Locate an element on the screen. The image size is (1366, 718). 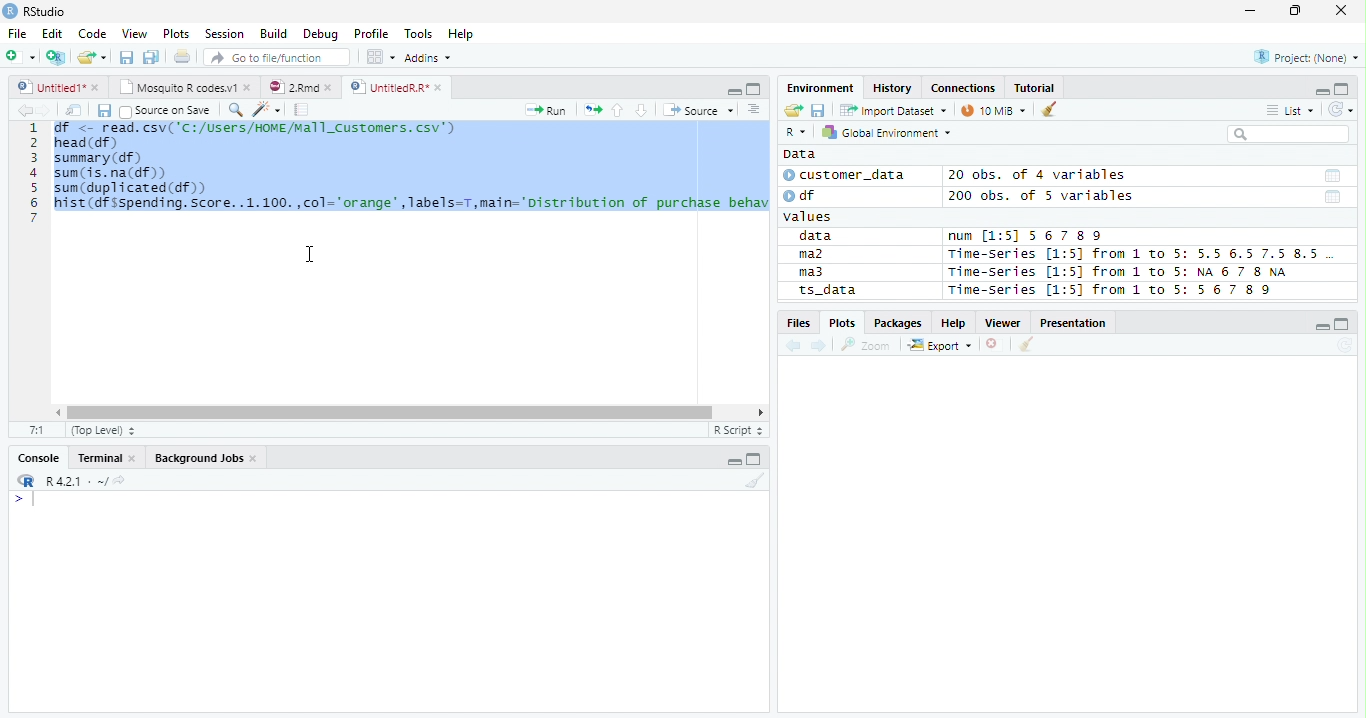
Source on save is located at coordinates (166, 111).